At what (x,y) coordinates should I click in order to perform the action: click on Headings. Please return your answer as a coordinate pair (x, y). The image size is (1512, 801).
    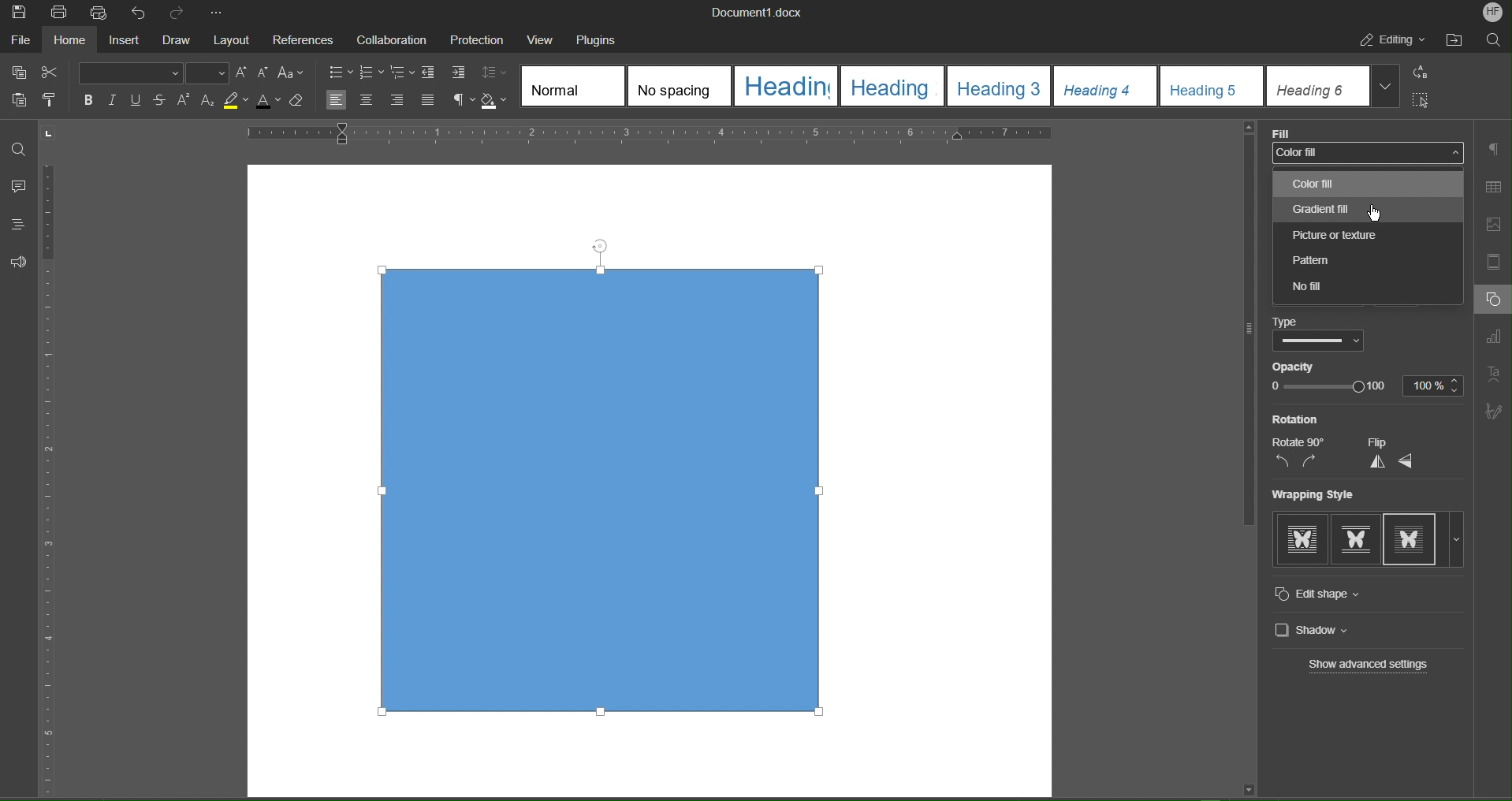
    Looking at the image, I should click on (20, 225).